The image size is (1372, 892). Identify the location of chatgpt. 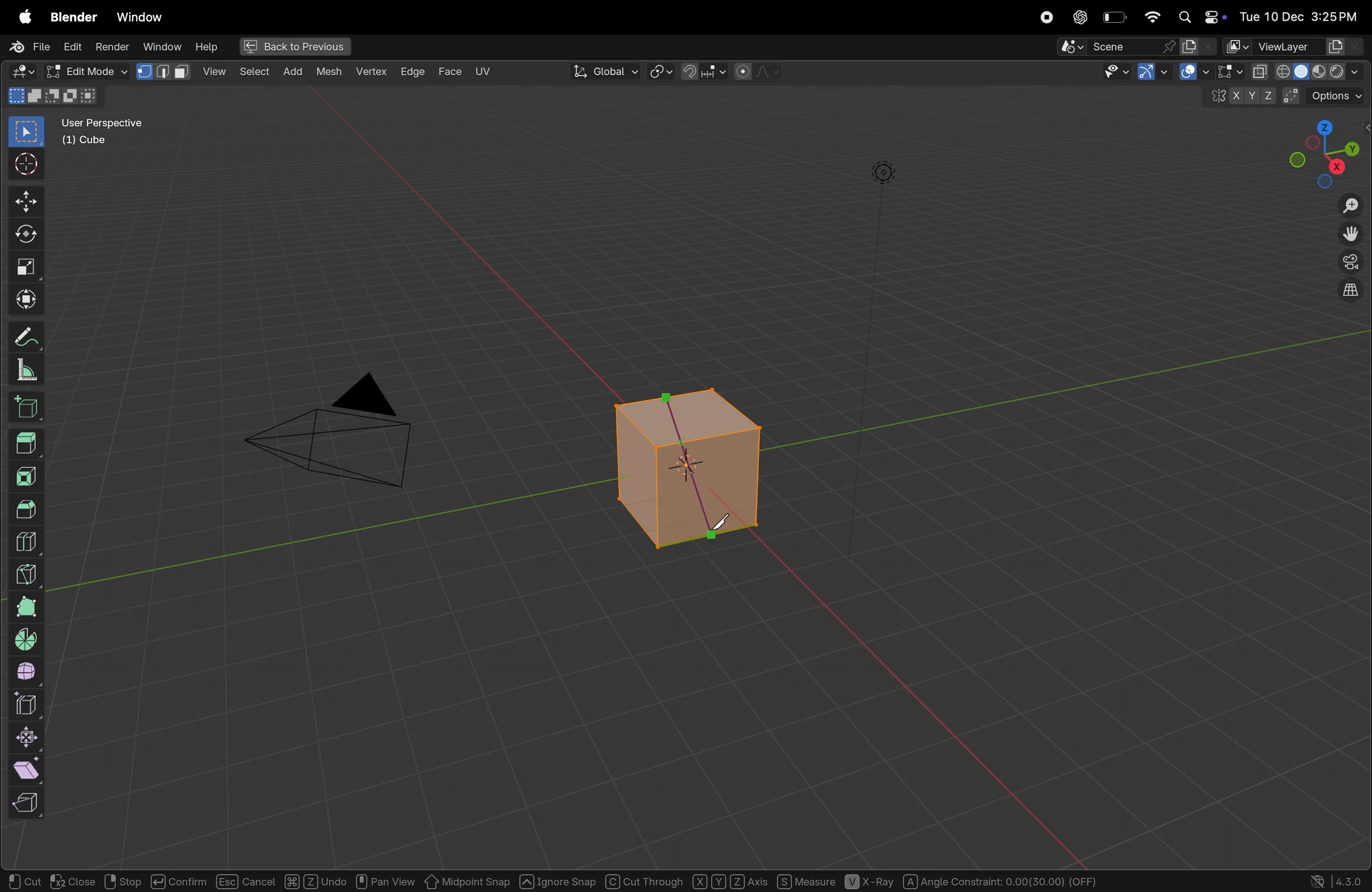
(1080, 17).